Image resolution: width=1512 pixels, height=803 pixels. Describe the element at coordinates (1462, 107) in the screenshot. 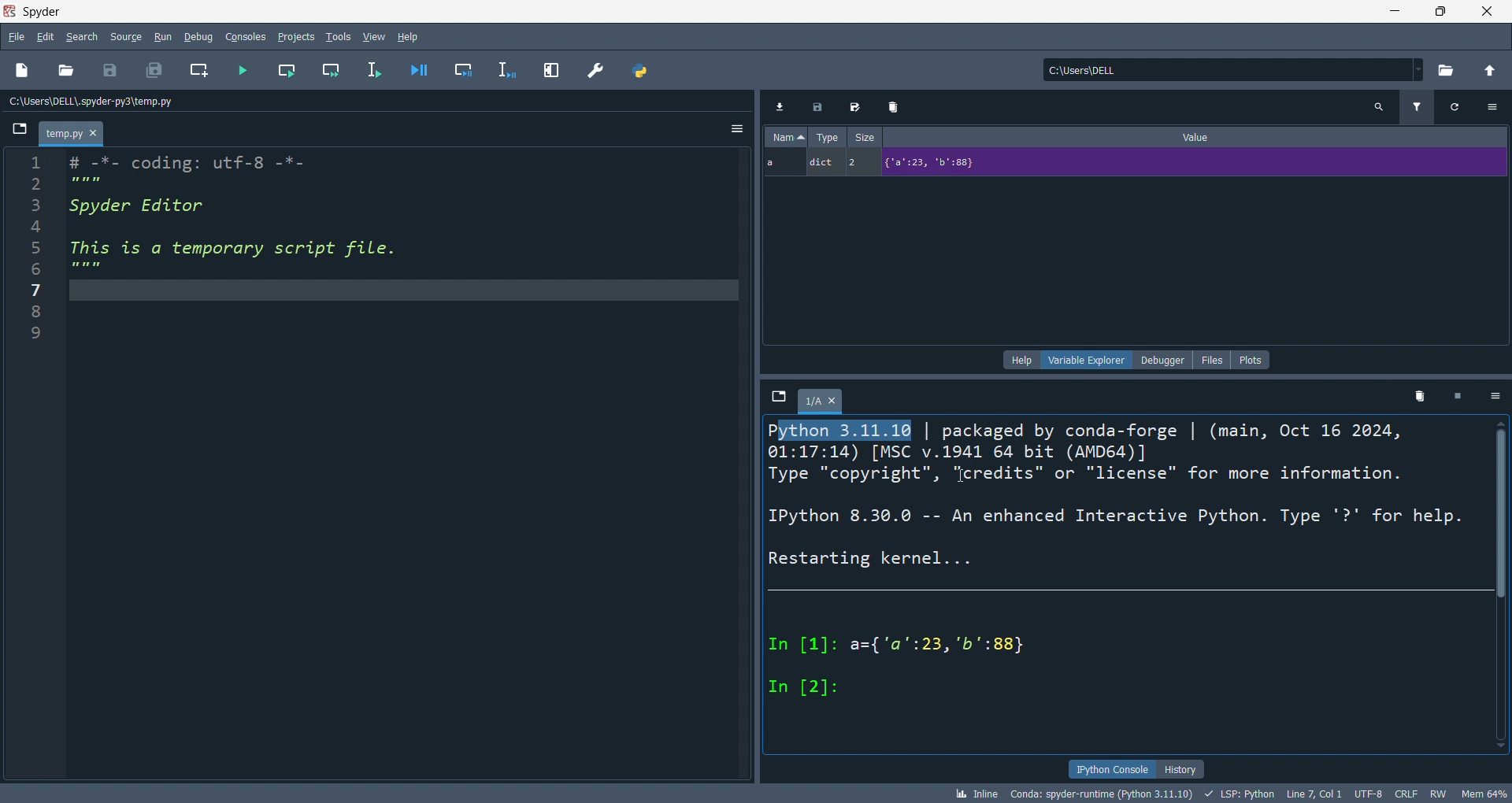

I see `refresh` at that location.